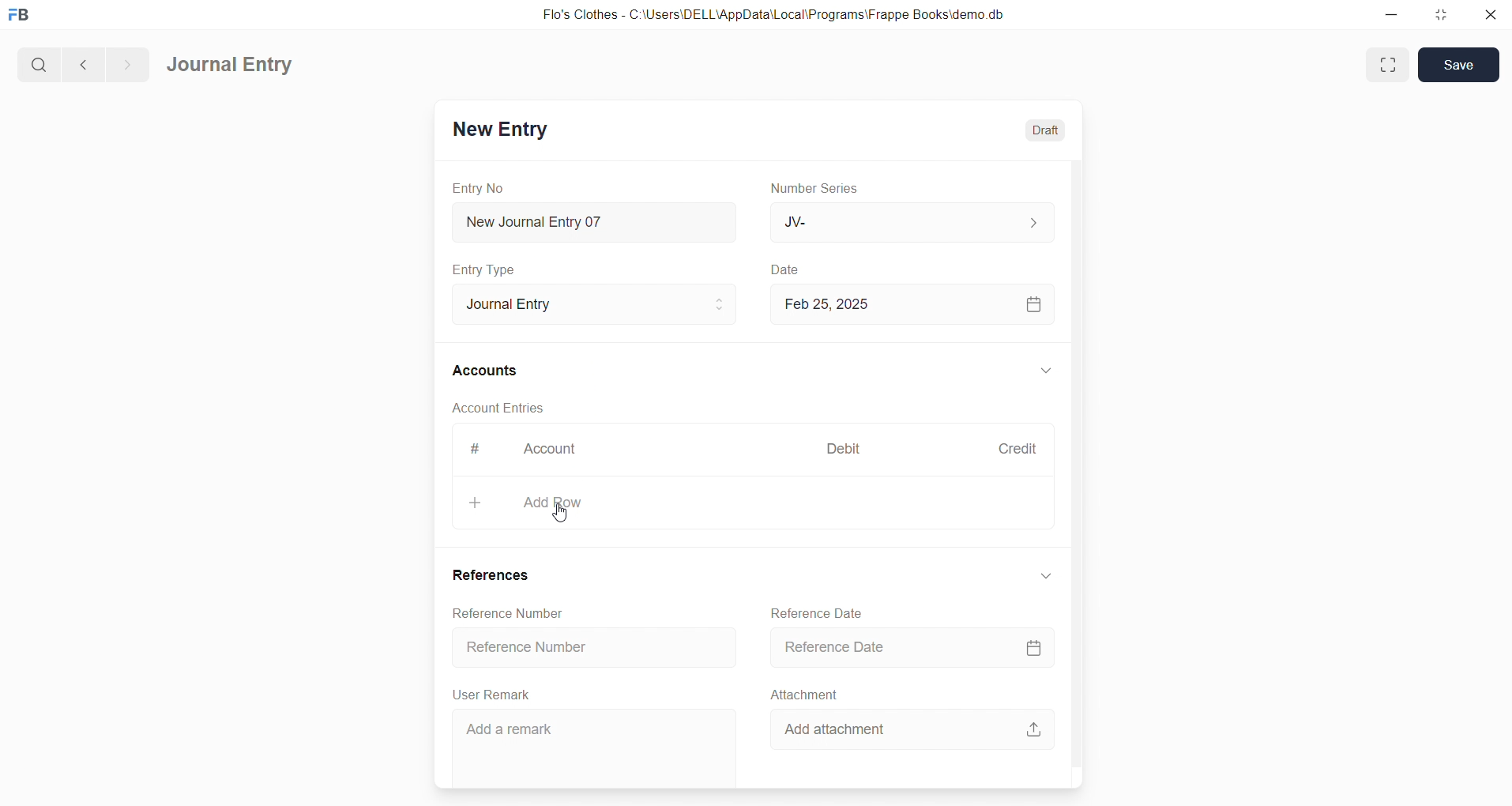  What do you see at coordinates (479, 187) in the screenshot?
I see `Entry No` at bounding box center [479, 187].